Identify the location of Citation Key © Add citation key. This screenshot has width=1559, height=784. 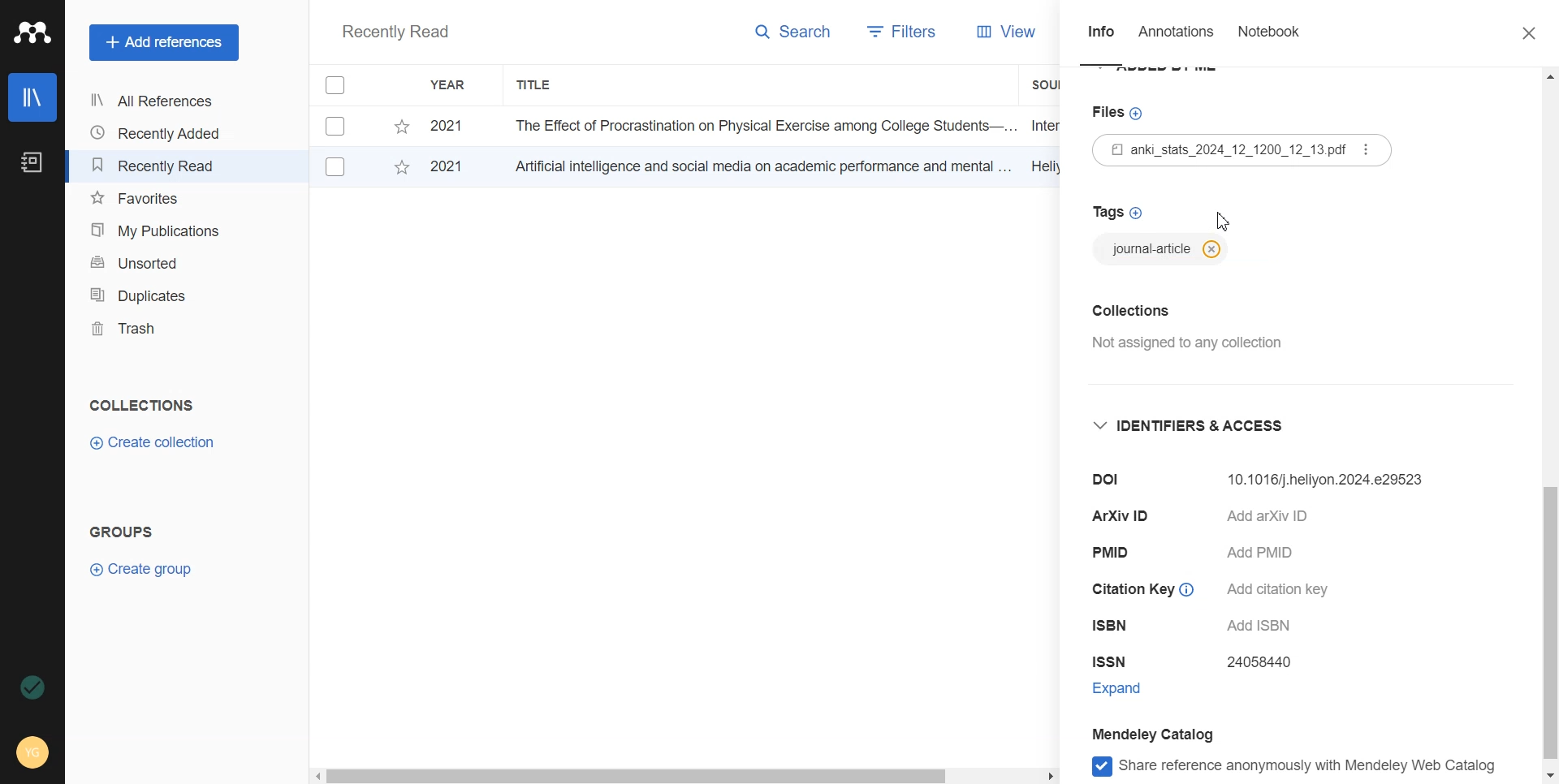
(1216, 594).